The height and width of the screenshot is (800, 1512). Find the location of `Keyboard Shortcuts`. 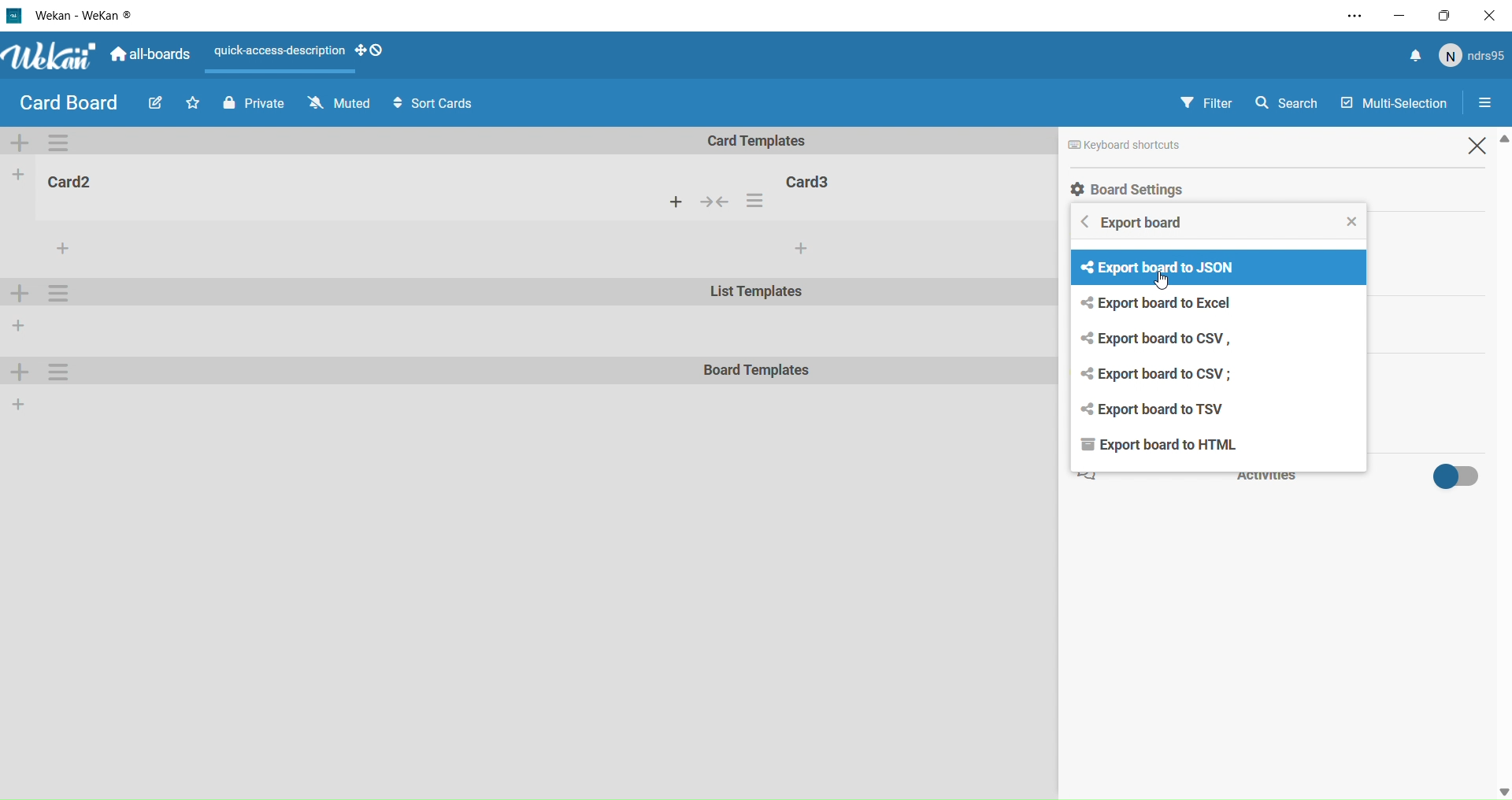

Keyboard Shortcuts is located at coordinates (1170, 145).